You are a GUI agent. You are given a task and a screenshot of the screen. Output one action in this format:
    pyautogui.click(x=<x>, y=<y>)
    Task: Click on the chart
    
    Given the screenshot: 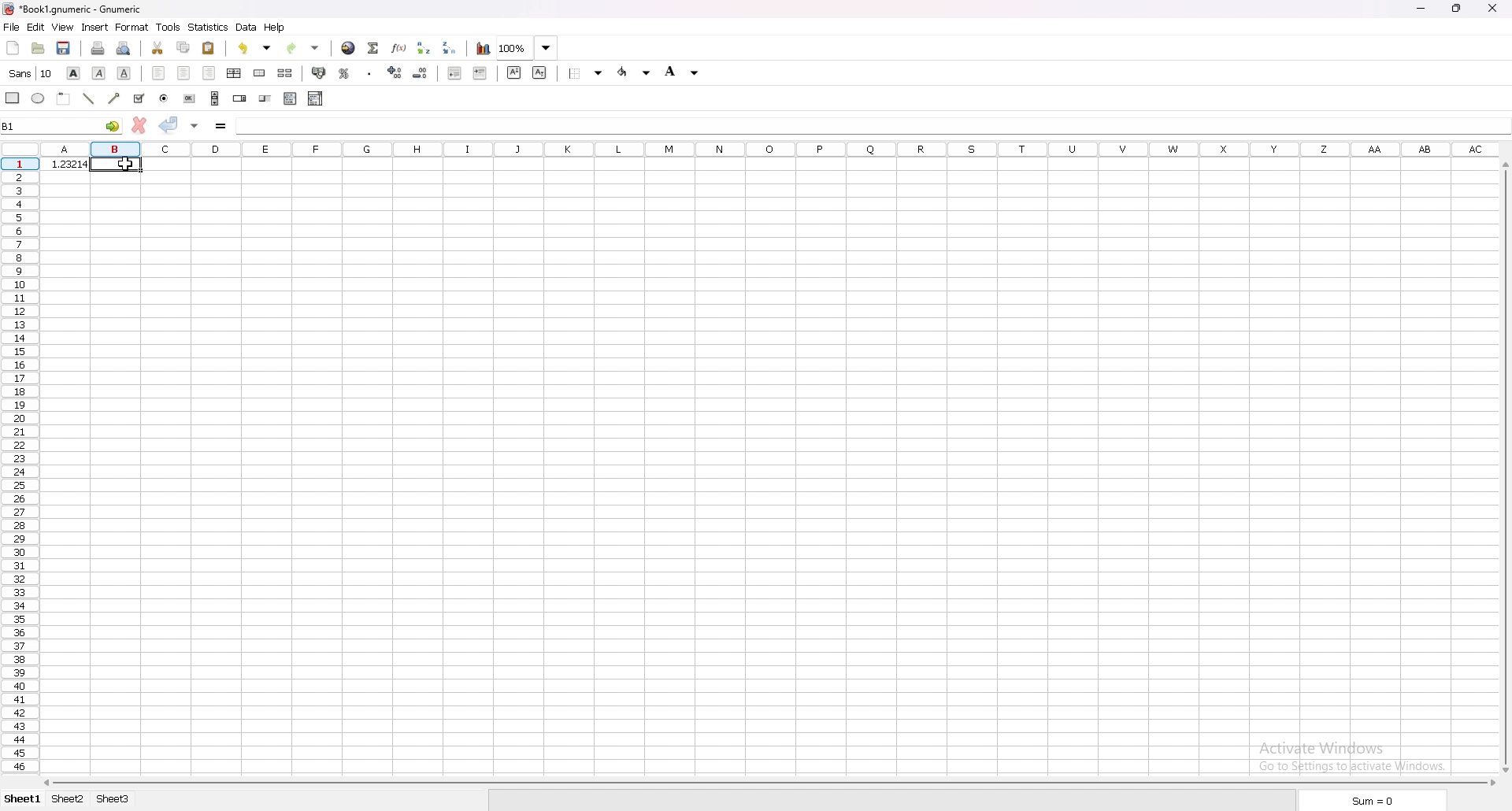 What is the action you would take?
    pyautogui.click(x=484, y=49)
    